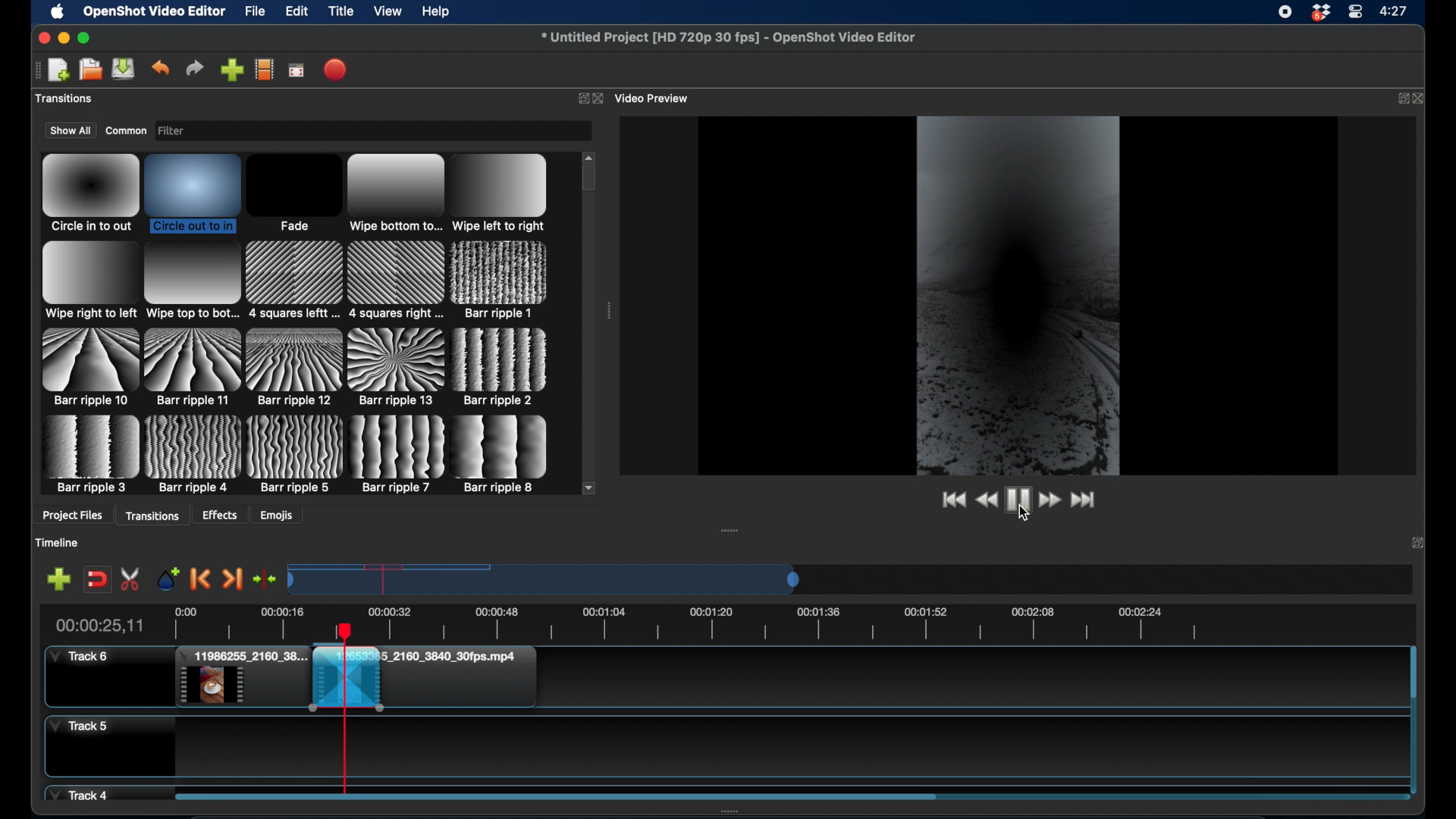 This screenshot has width=1456, height=819. What do you see at coordinates (231, 70) in the screenshot?
I see `import files` at bounding box center [231, 70].